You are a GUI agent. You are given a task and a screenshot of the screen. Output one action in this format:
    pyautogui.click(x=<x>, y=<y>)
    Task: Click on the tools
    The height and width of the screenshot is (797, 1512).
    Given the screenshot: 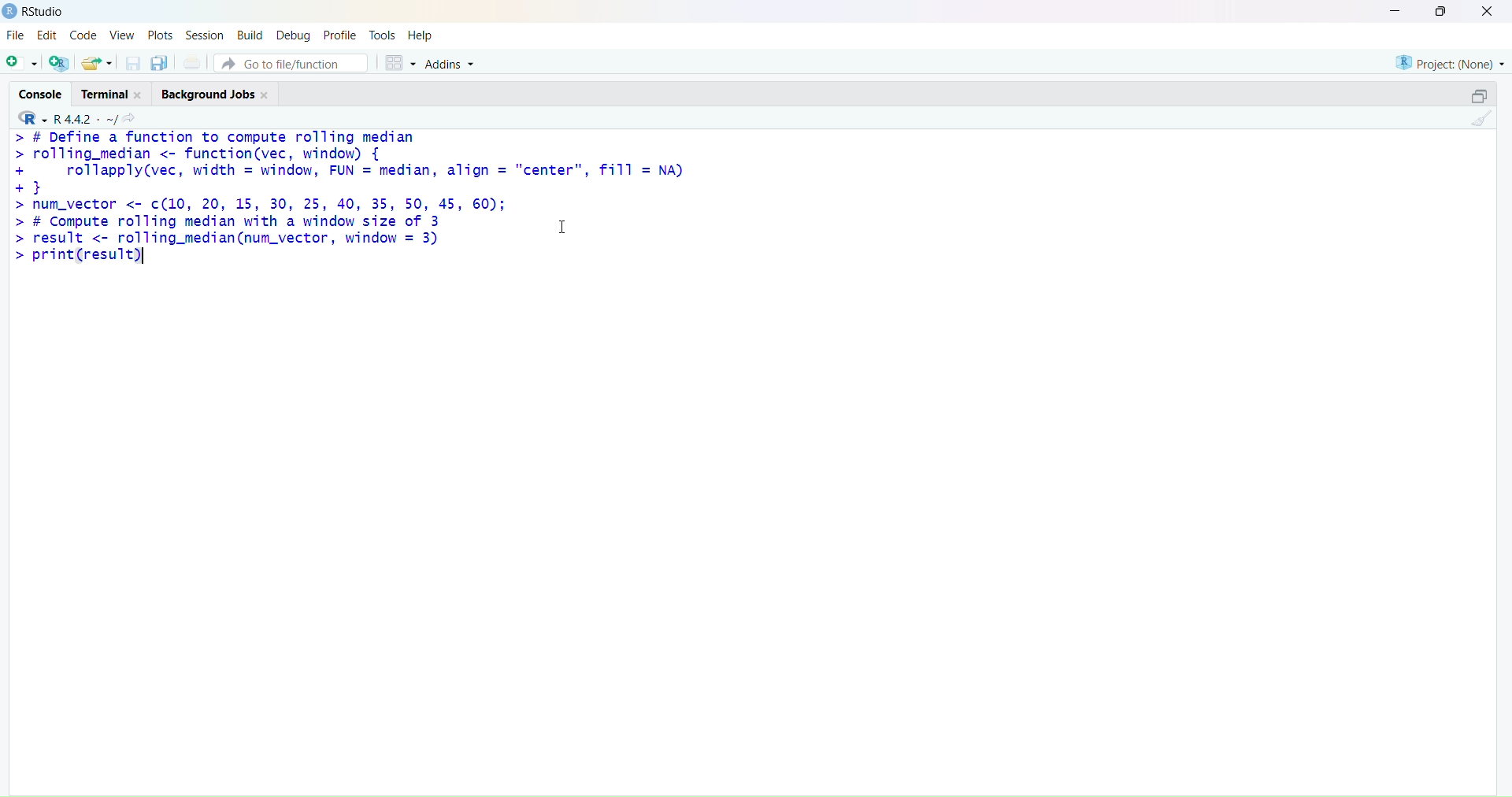 What is the action you would take?
    pyautogui.click(x=383, y=35)
    